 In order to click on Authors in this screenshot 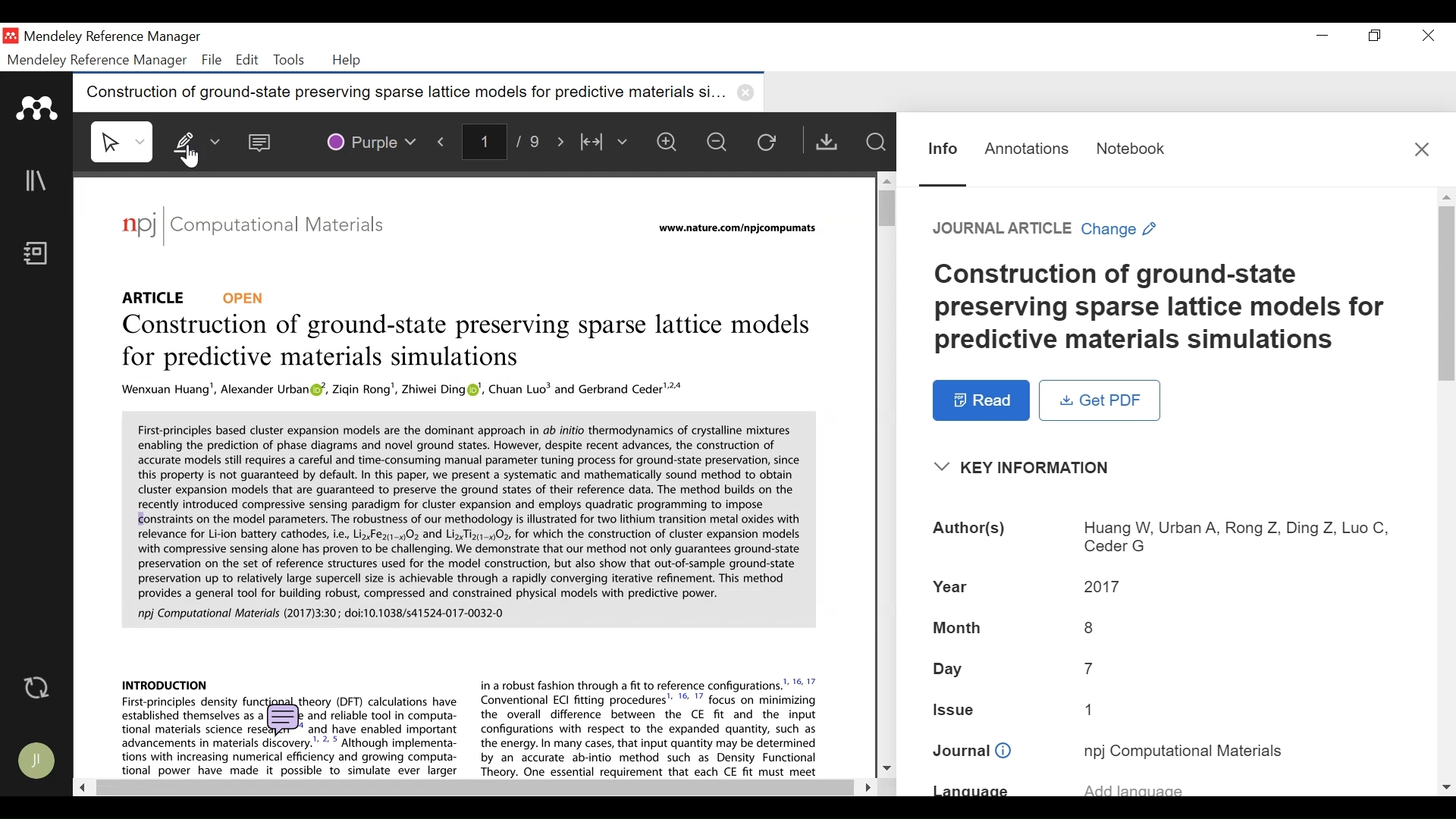, I will do `click(971, 530)`.